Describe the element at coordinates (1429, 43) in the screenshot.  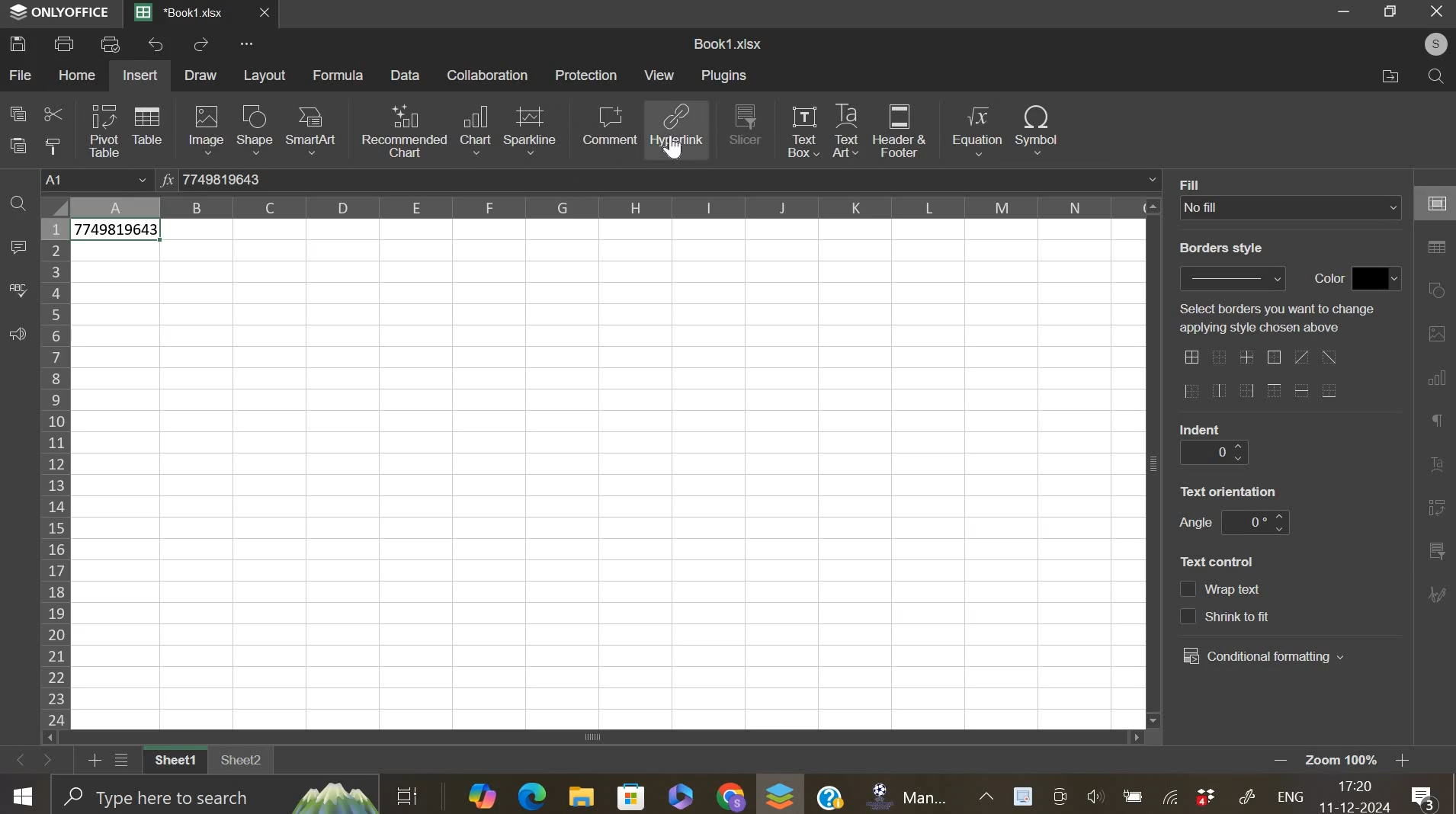
I see `user` at that location.